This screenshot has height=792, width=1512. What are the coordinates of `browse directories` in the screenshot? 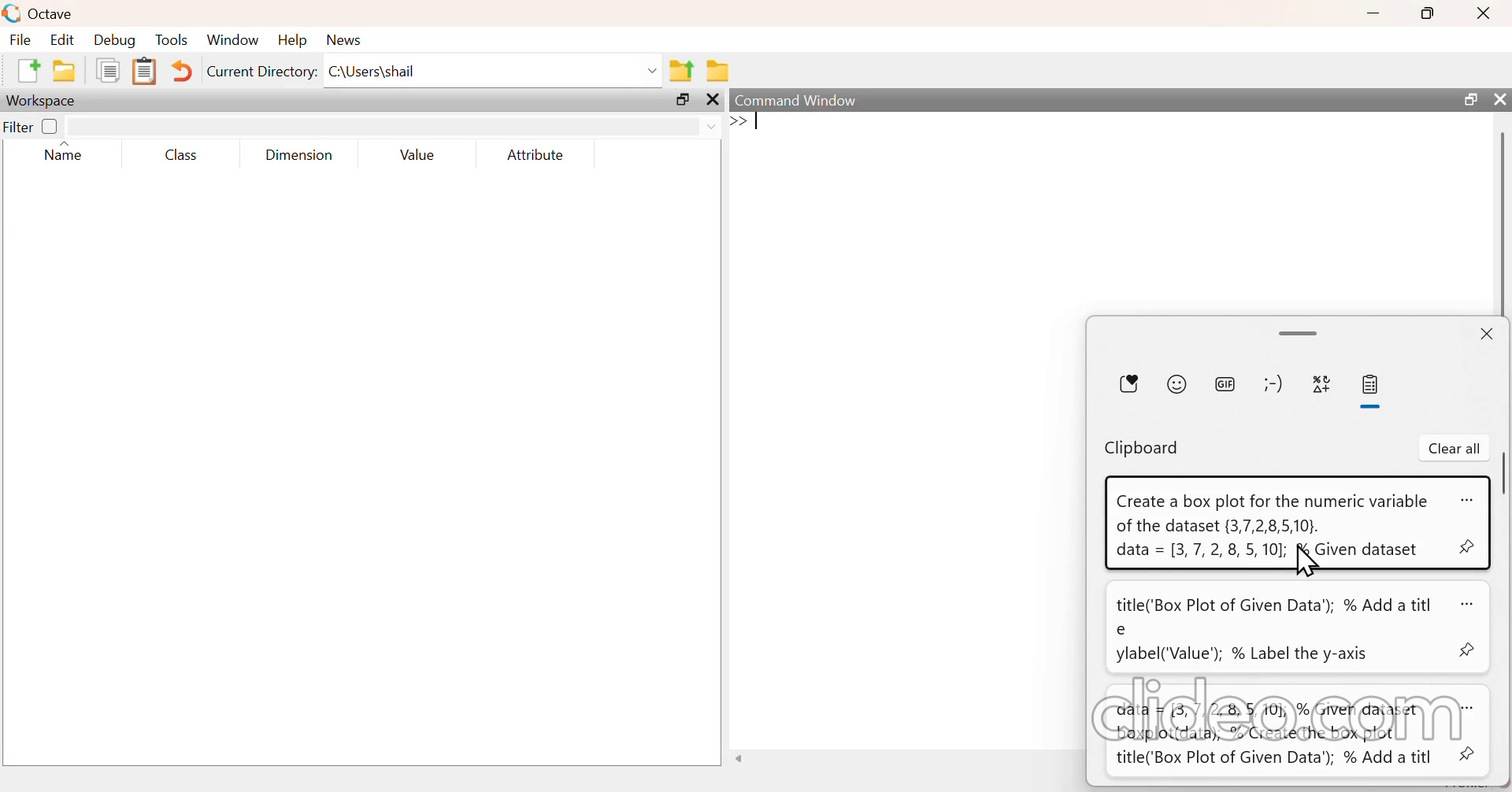 It's located at (721, 72).